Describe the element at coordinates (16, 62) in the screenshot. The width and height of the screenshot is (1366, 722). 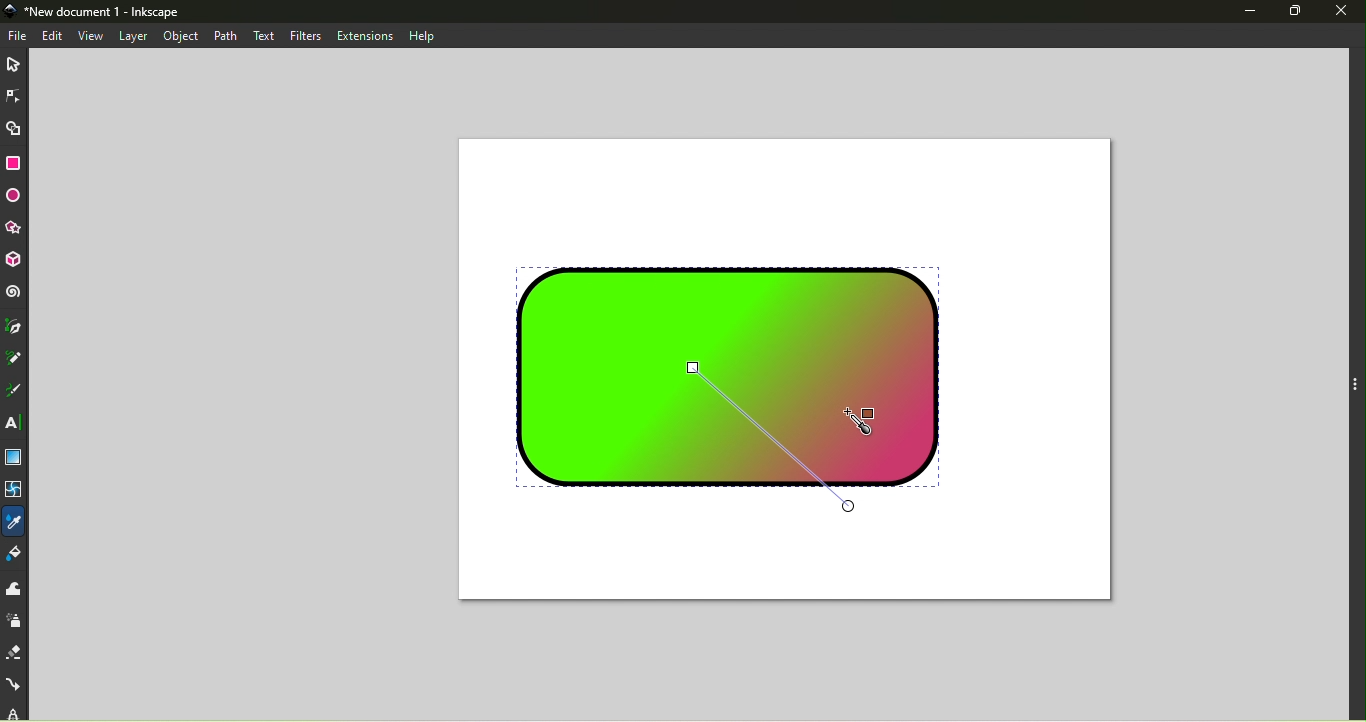
I see `Selector tool` at that location.